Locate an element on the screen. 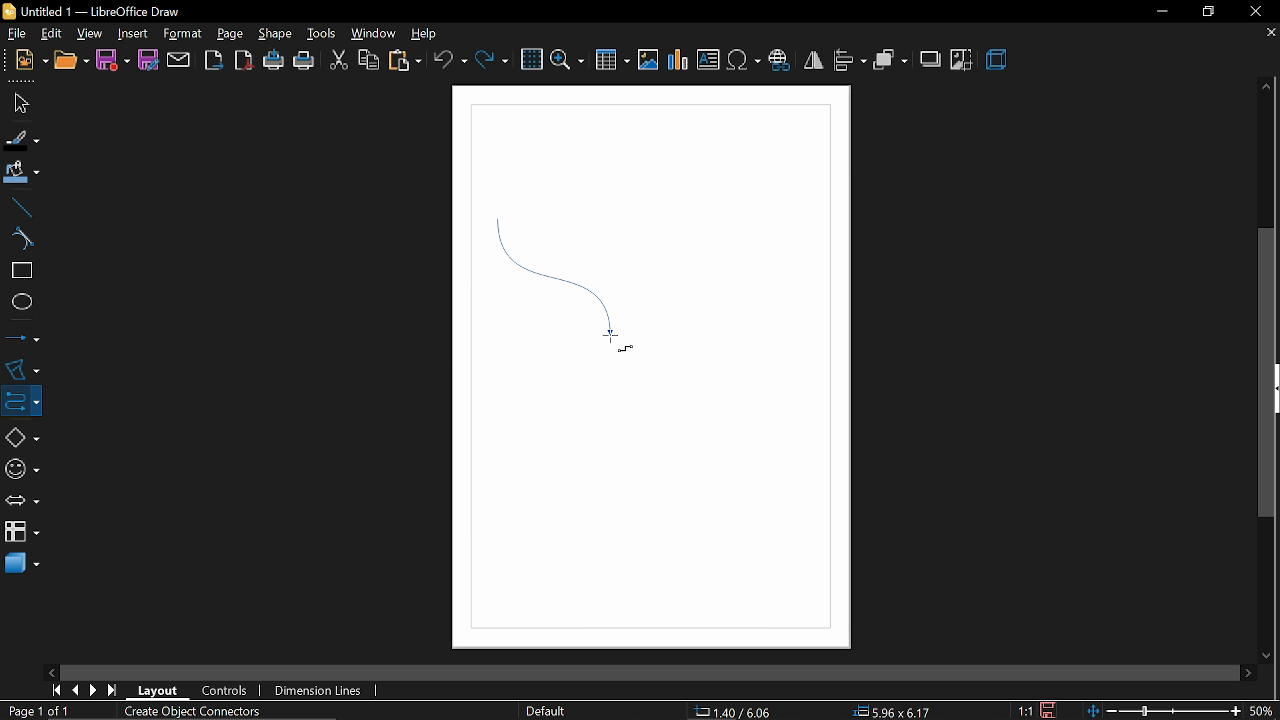  zoom is located at coordinates (567, 60).